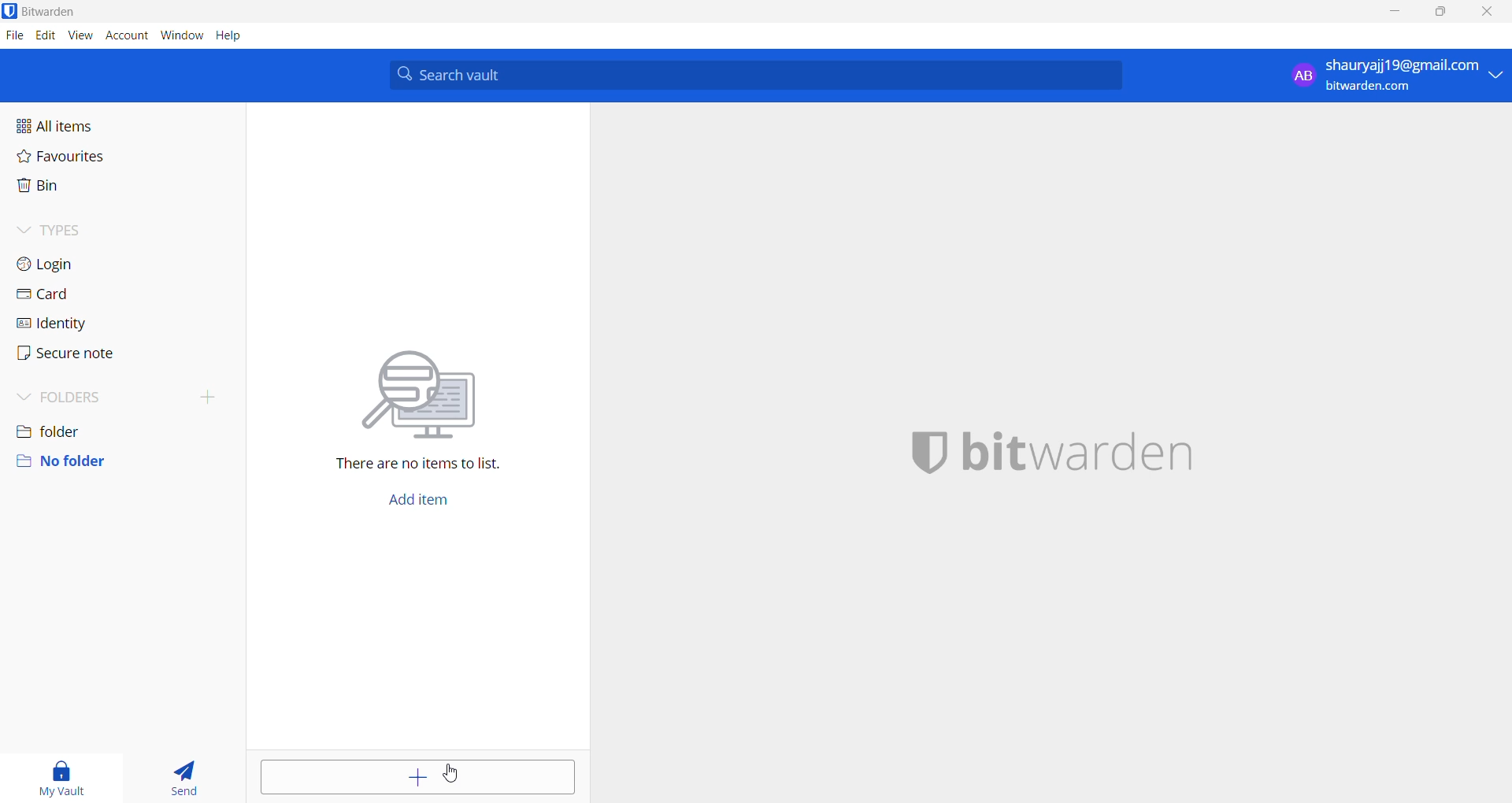  I want to click on profile: shauryajj19@gmail.com, so click(1392, 78).